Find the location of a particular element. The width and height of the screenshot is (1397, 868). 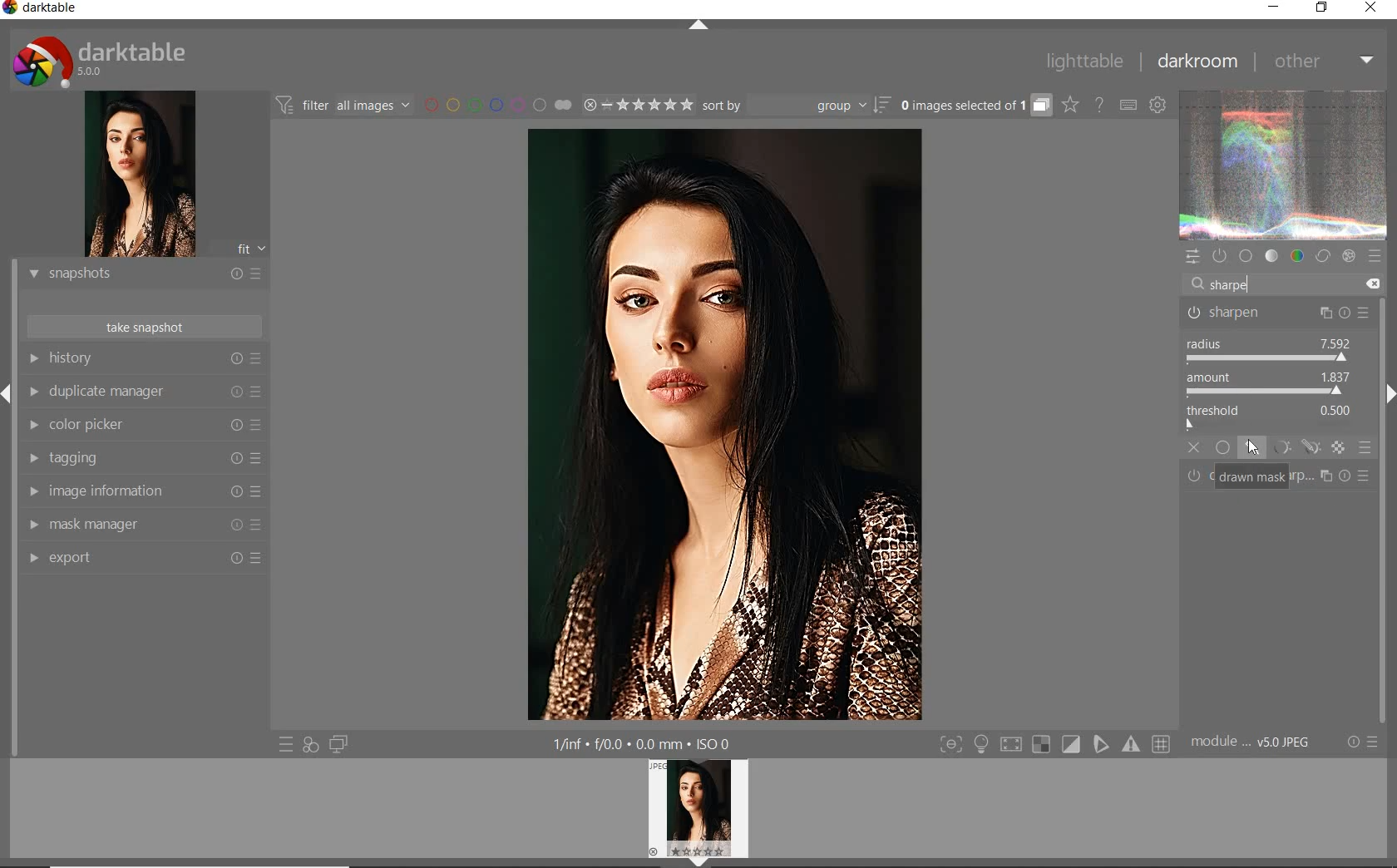

image preview is located at coordinates (134, 174).